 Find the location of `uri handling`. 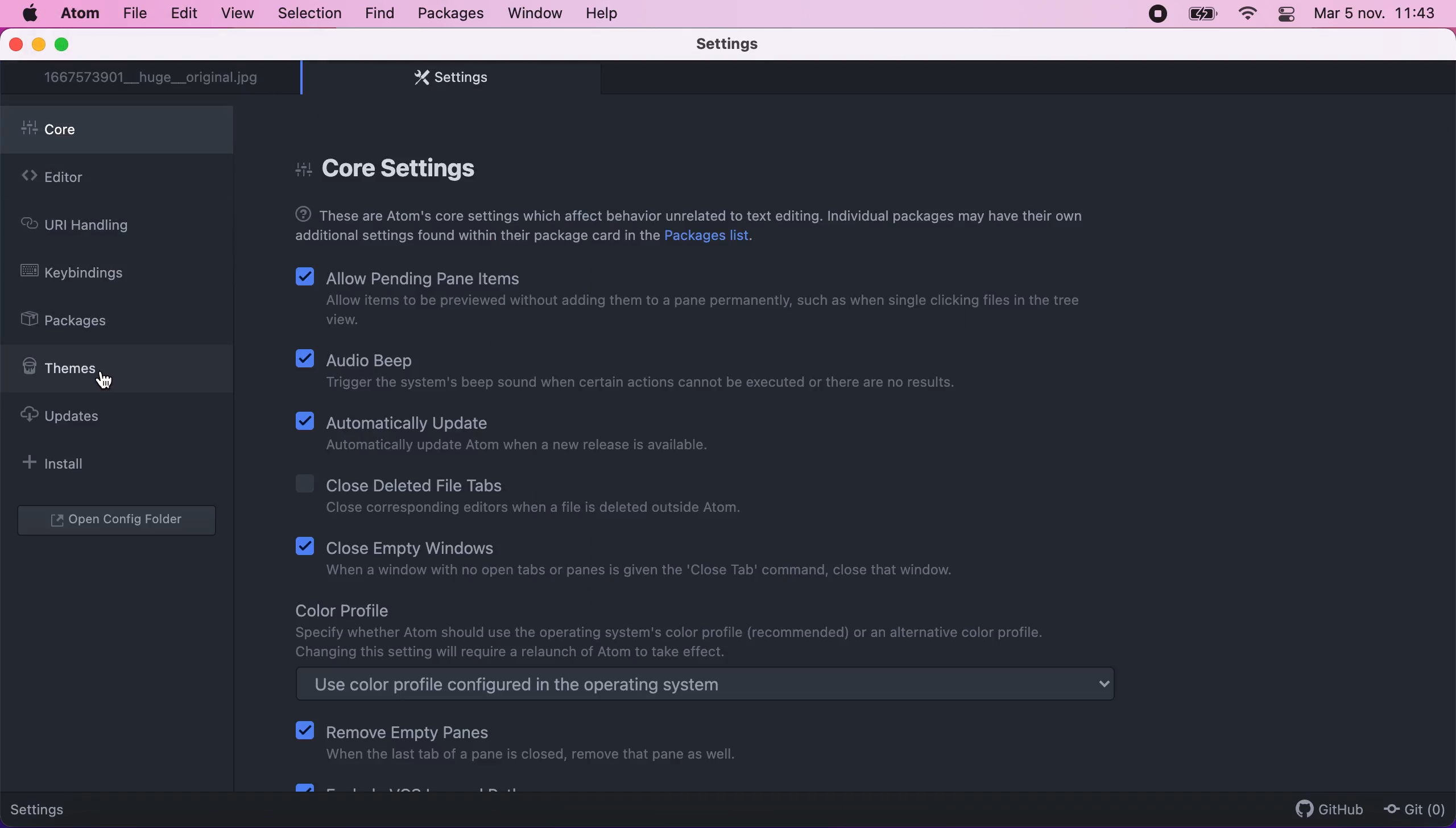

uri handling is located at coordinates (90, 226).